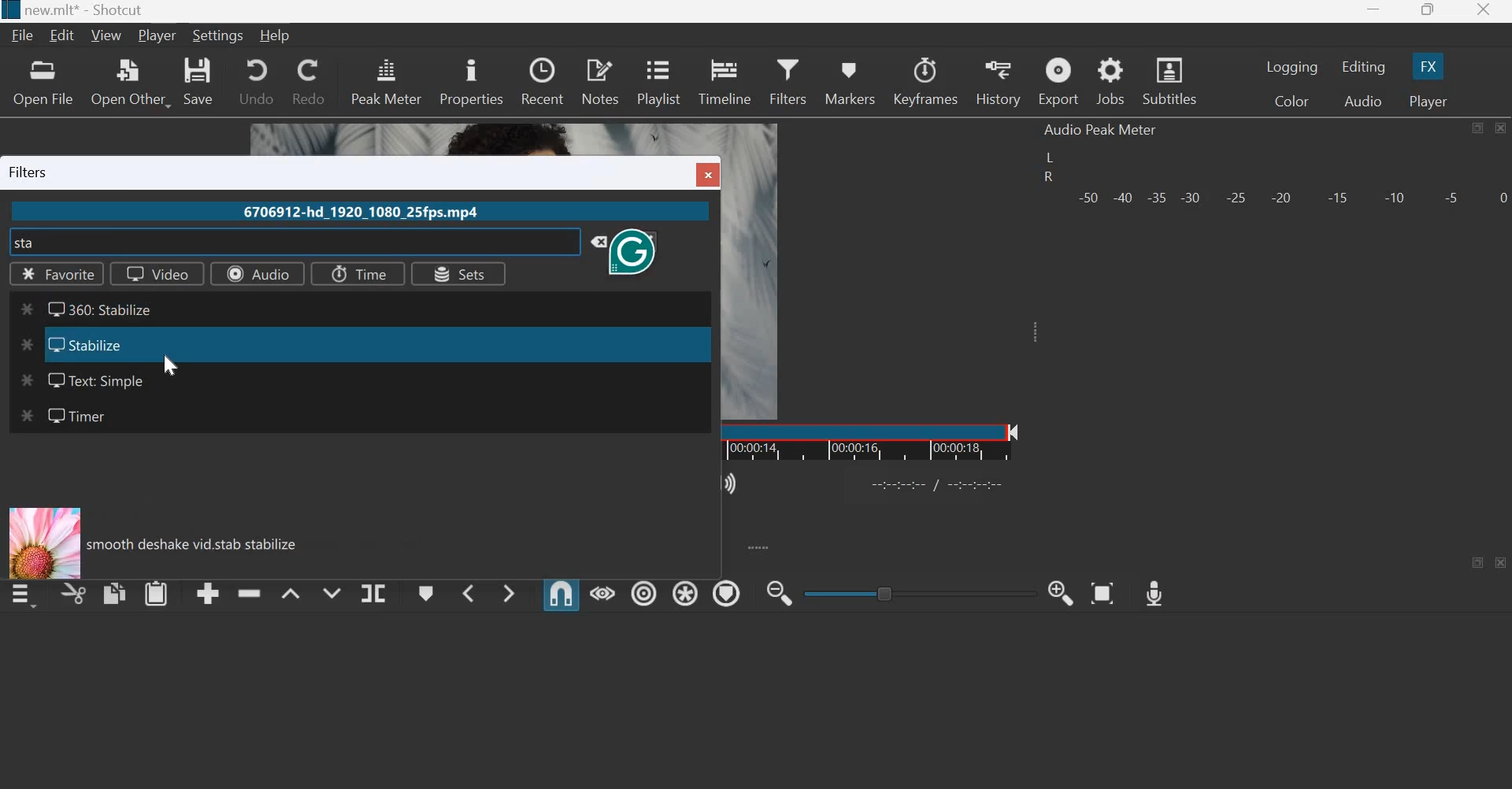 The width and height of the screenshot is (1512, 789). Describe the element at coordinates (1155, 594) in the screenshot. I see `Record Audio` at that location.